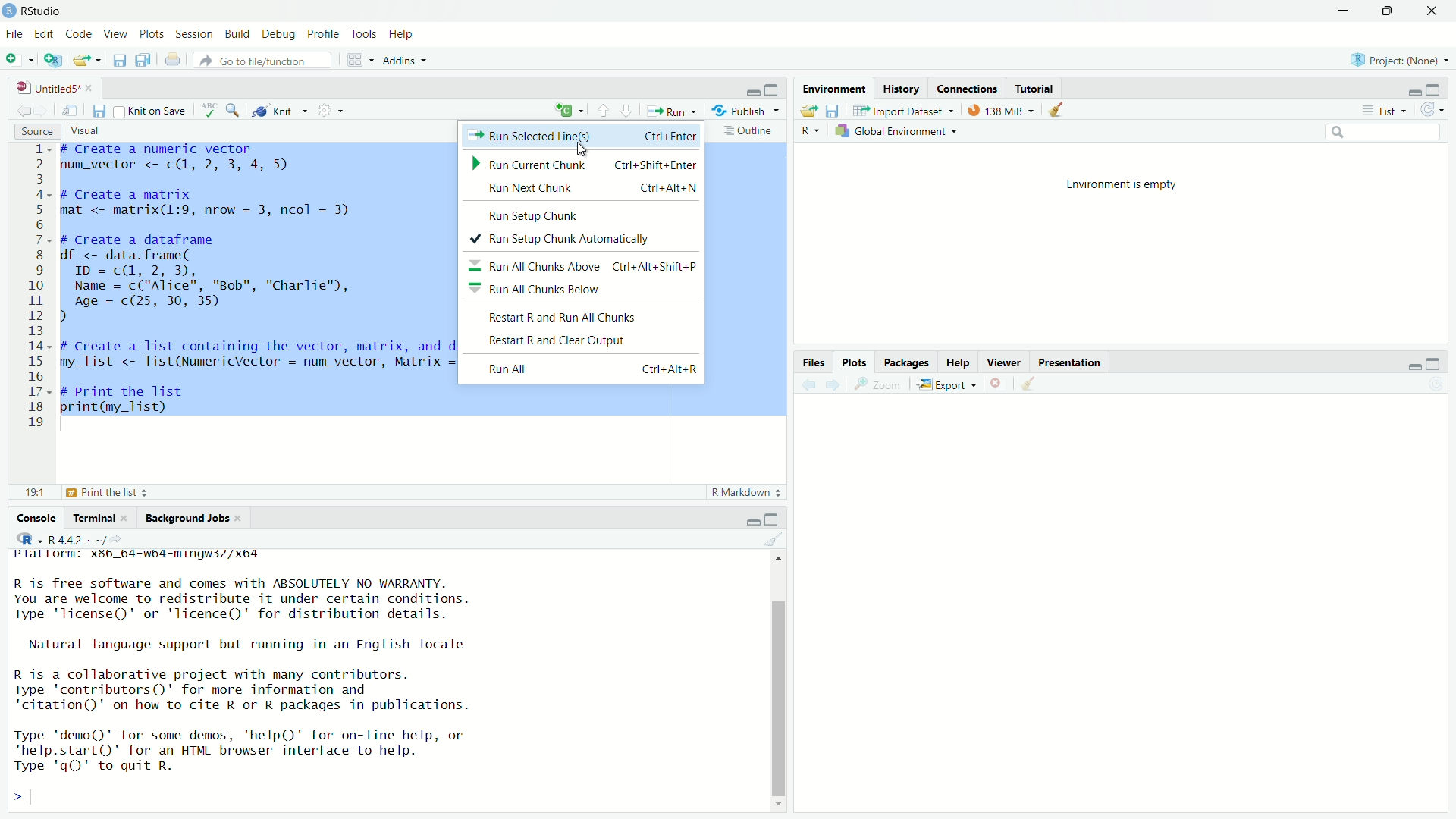 The width and height of the screenshot is (1456, 819). Describe the element at coordinates (1432, 108) in the screenshot. I see `refresh` at that location.